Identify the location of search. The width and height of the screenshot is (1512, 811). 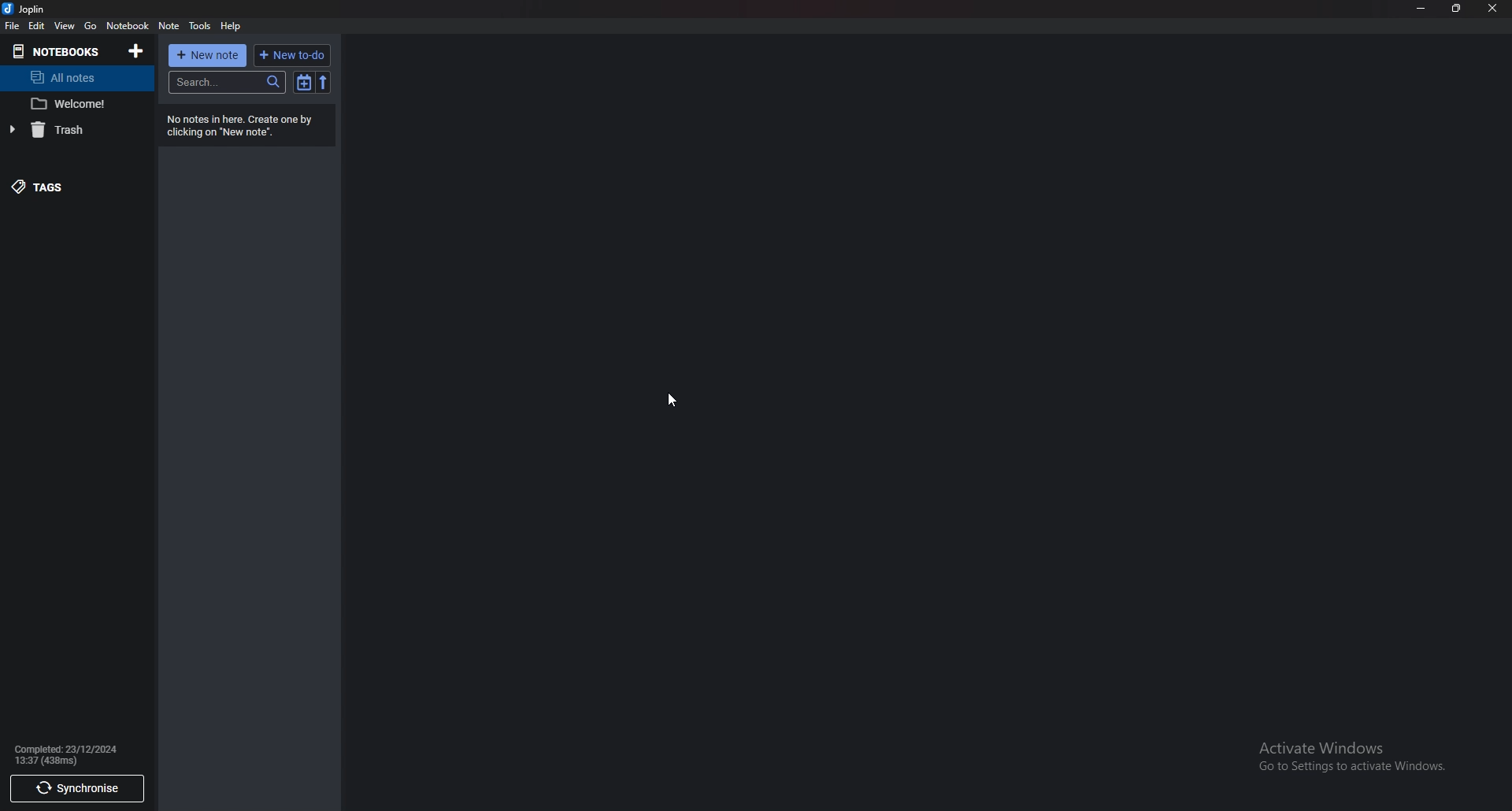
(227, 83).